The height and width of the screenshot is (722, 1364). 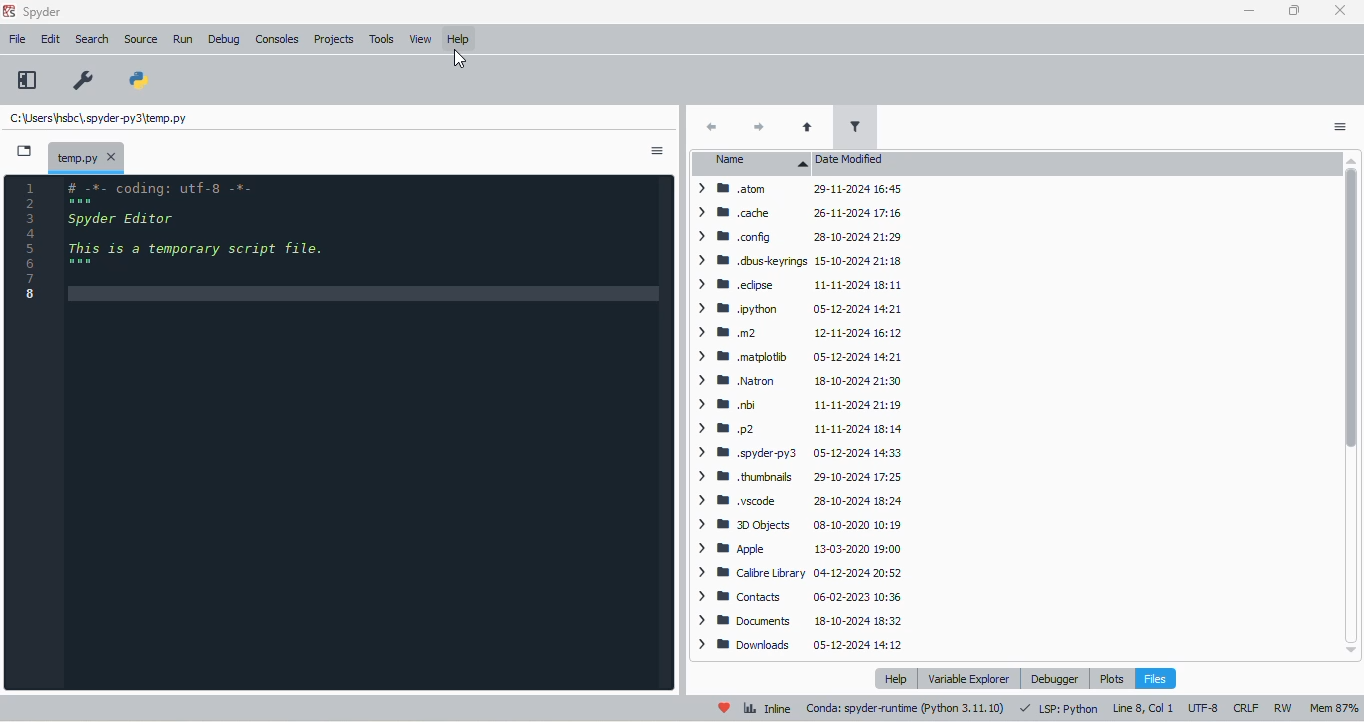 What do you see at coordinates (798, 525) in the screenshot?
I see `> WB 3DObjects 08-10-2020 10:19` at bounding box center [798, 525].